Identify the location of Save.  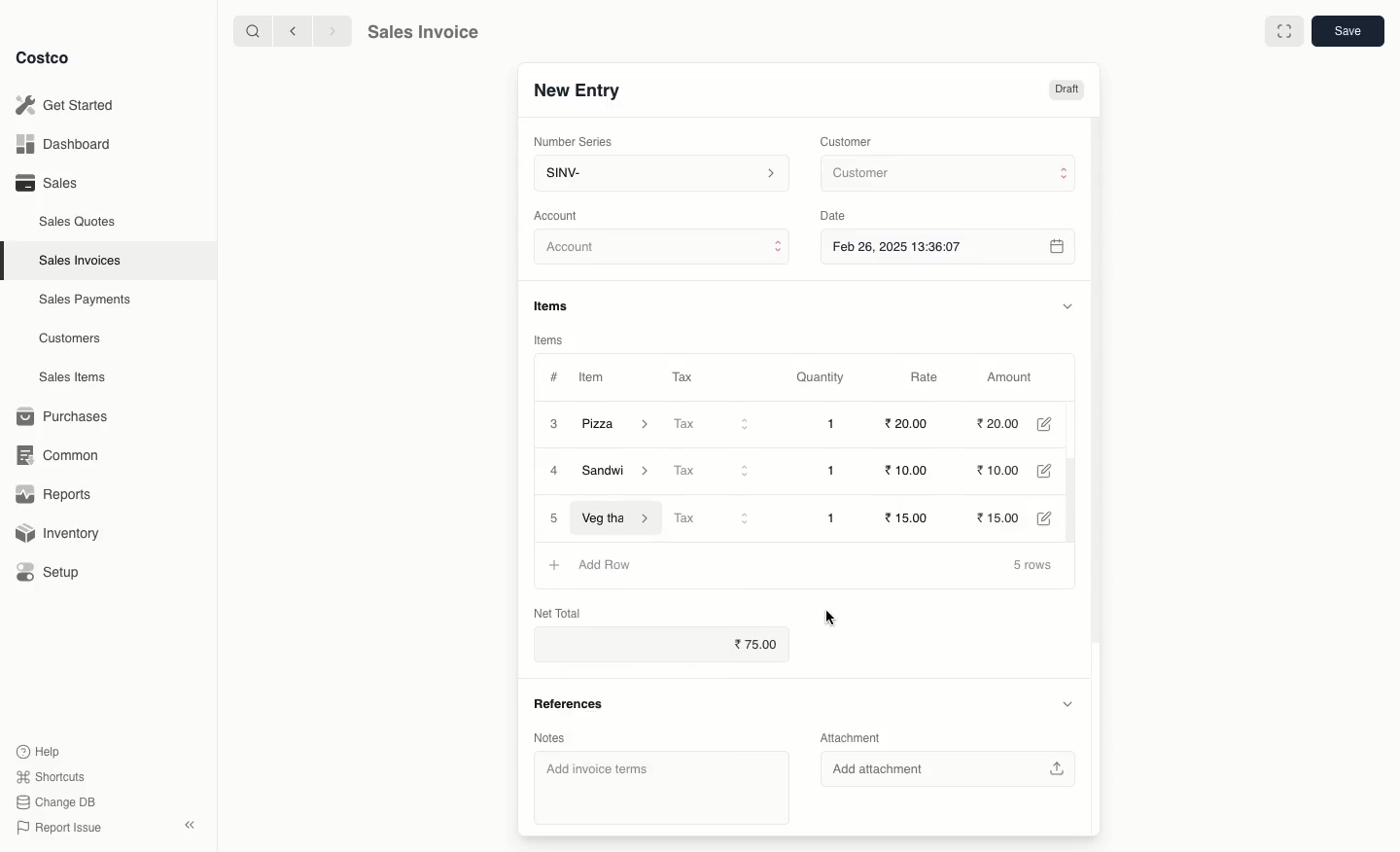
(1350, 33).